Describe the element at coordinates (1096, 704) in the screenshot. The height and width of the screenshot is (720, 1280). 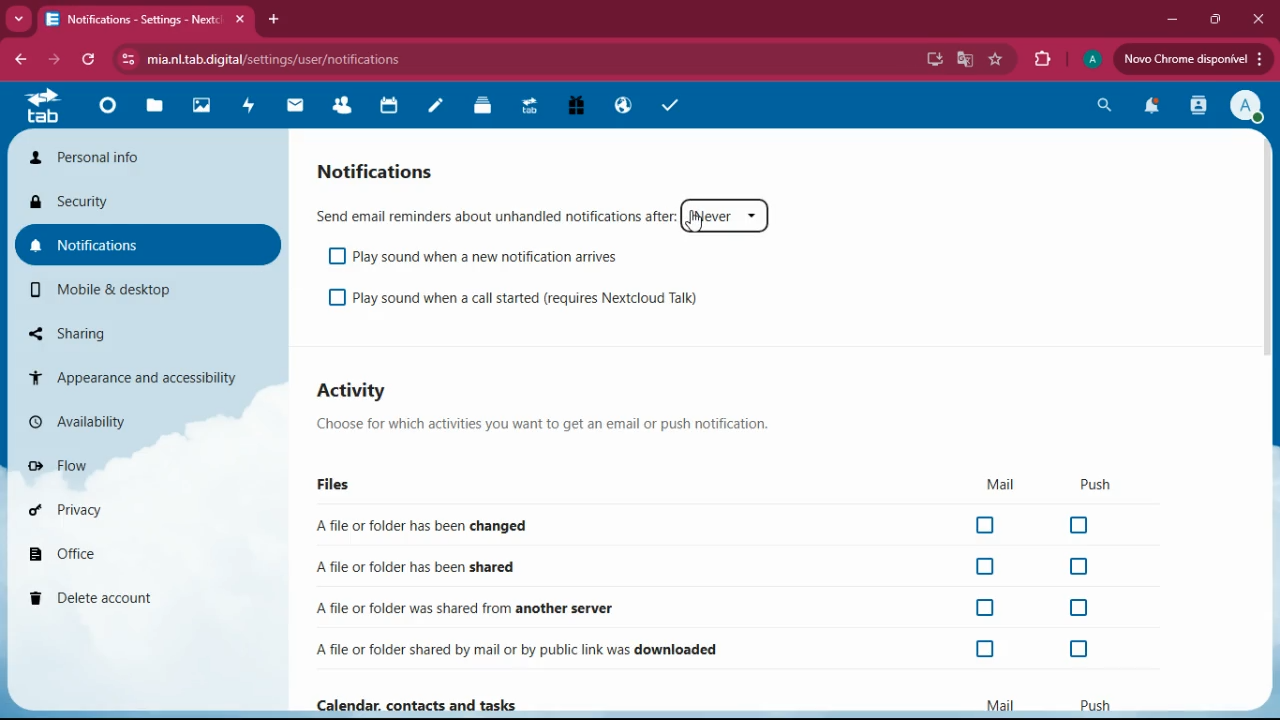
I see `push` at that location.